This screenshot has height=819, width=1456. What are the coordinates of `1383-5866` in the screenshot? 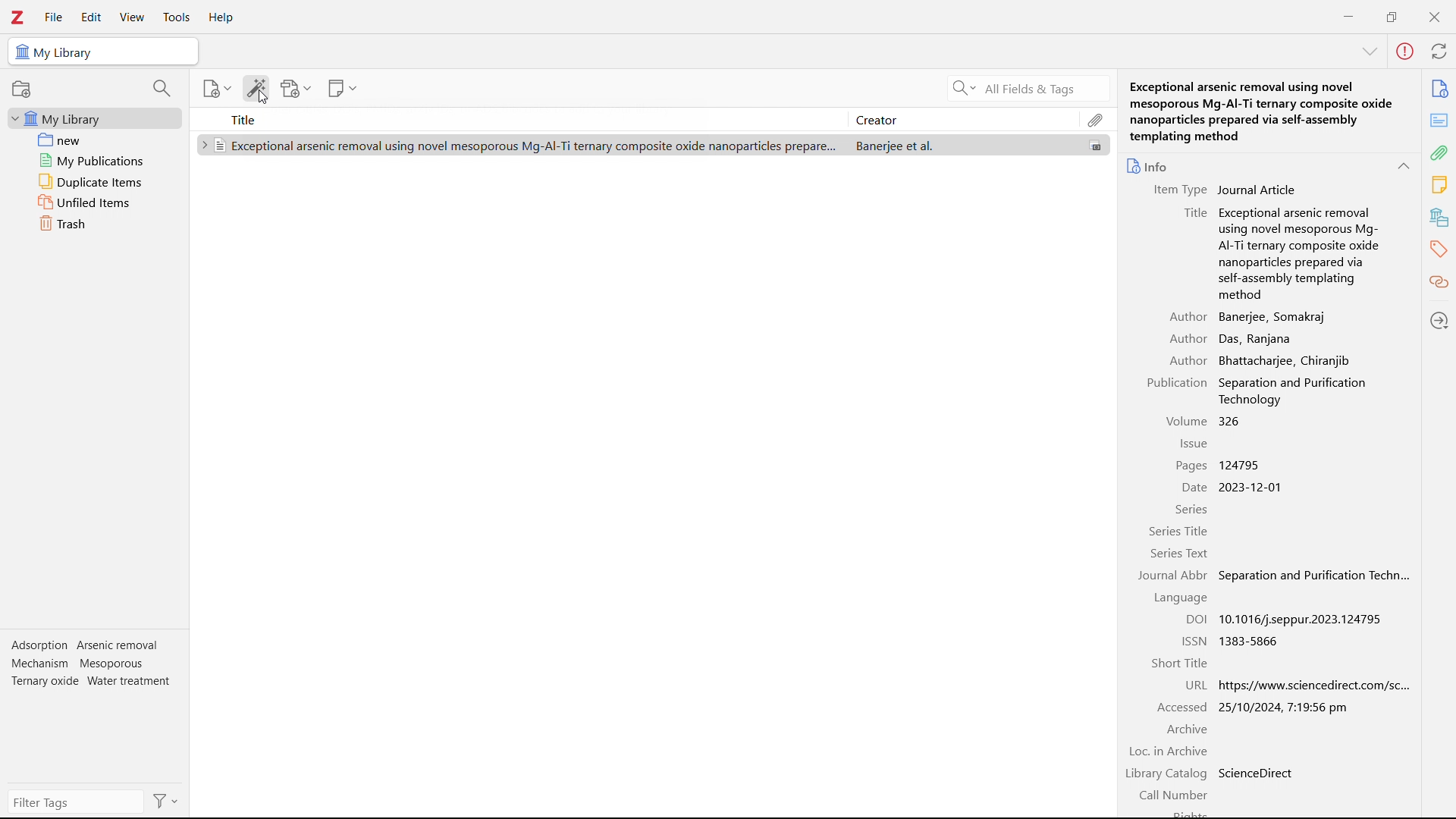 It's located at (1251, 641).